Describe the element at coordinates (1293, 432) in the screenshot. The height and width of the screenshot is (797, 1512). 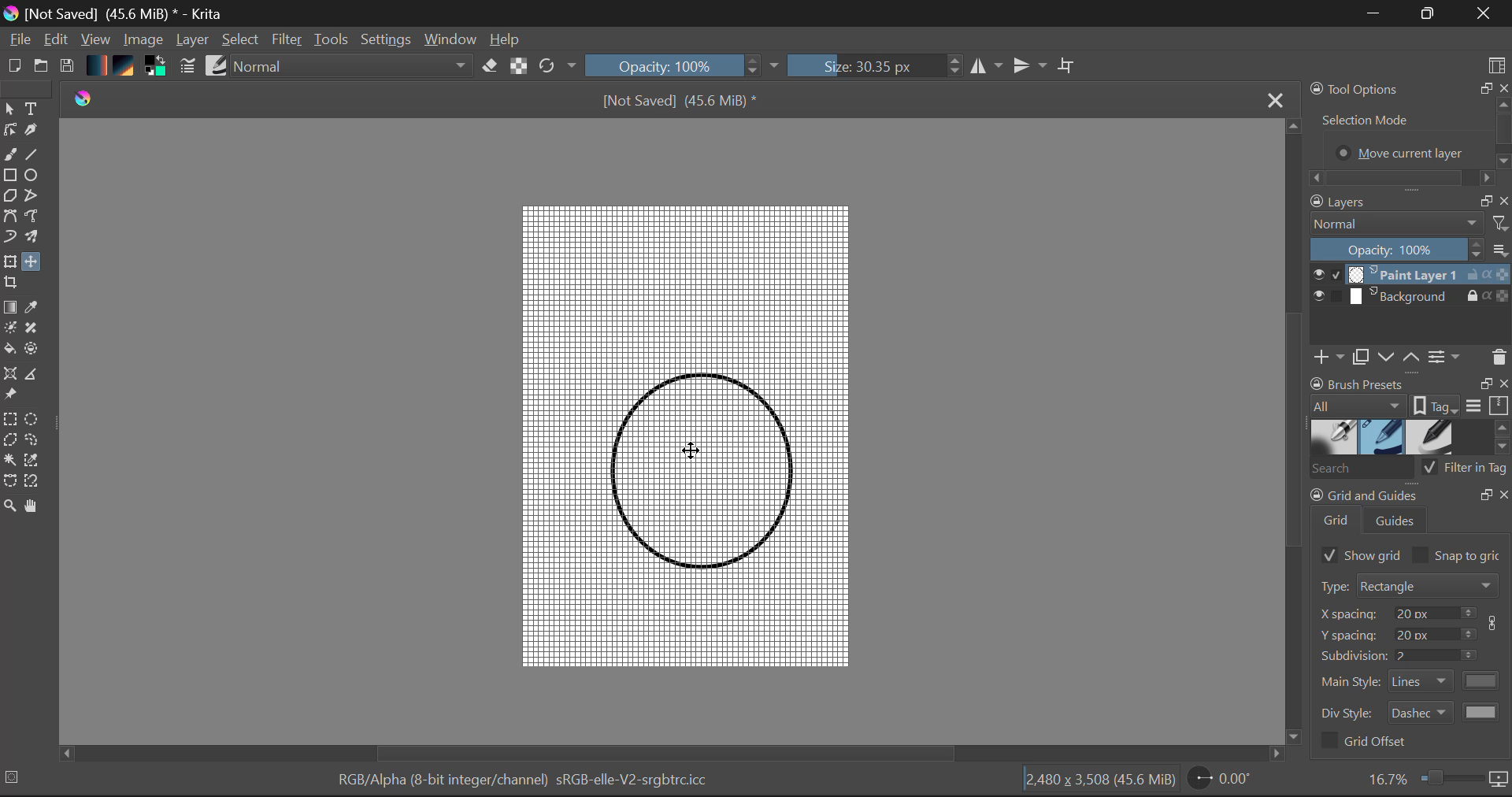
I see `Scroll Bar` at that location.